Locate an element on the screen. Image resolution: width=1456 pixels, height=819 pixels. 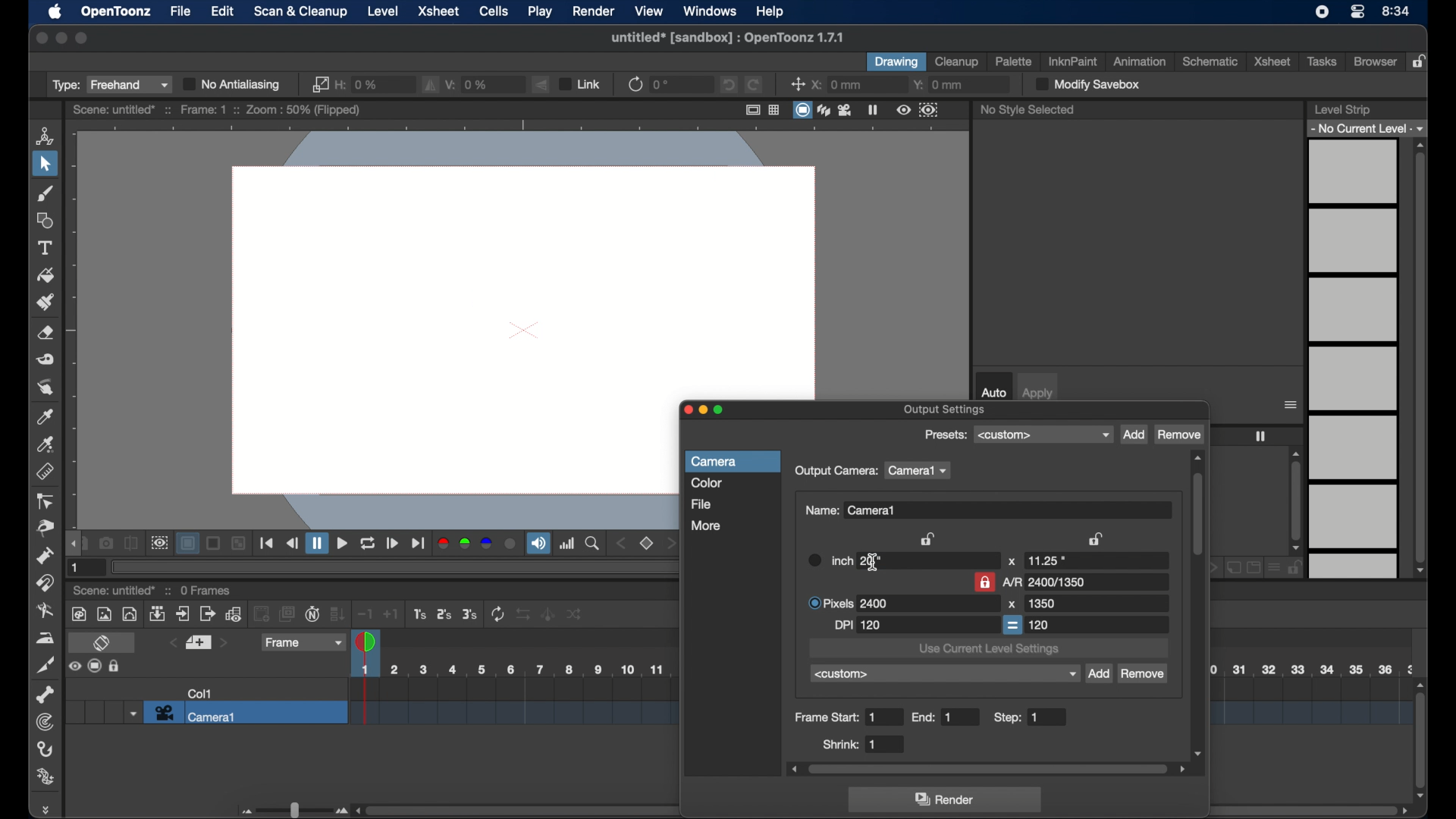
histogram is located at coordinates (567, 543).